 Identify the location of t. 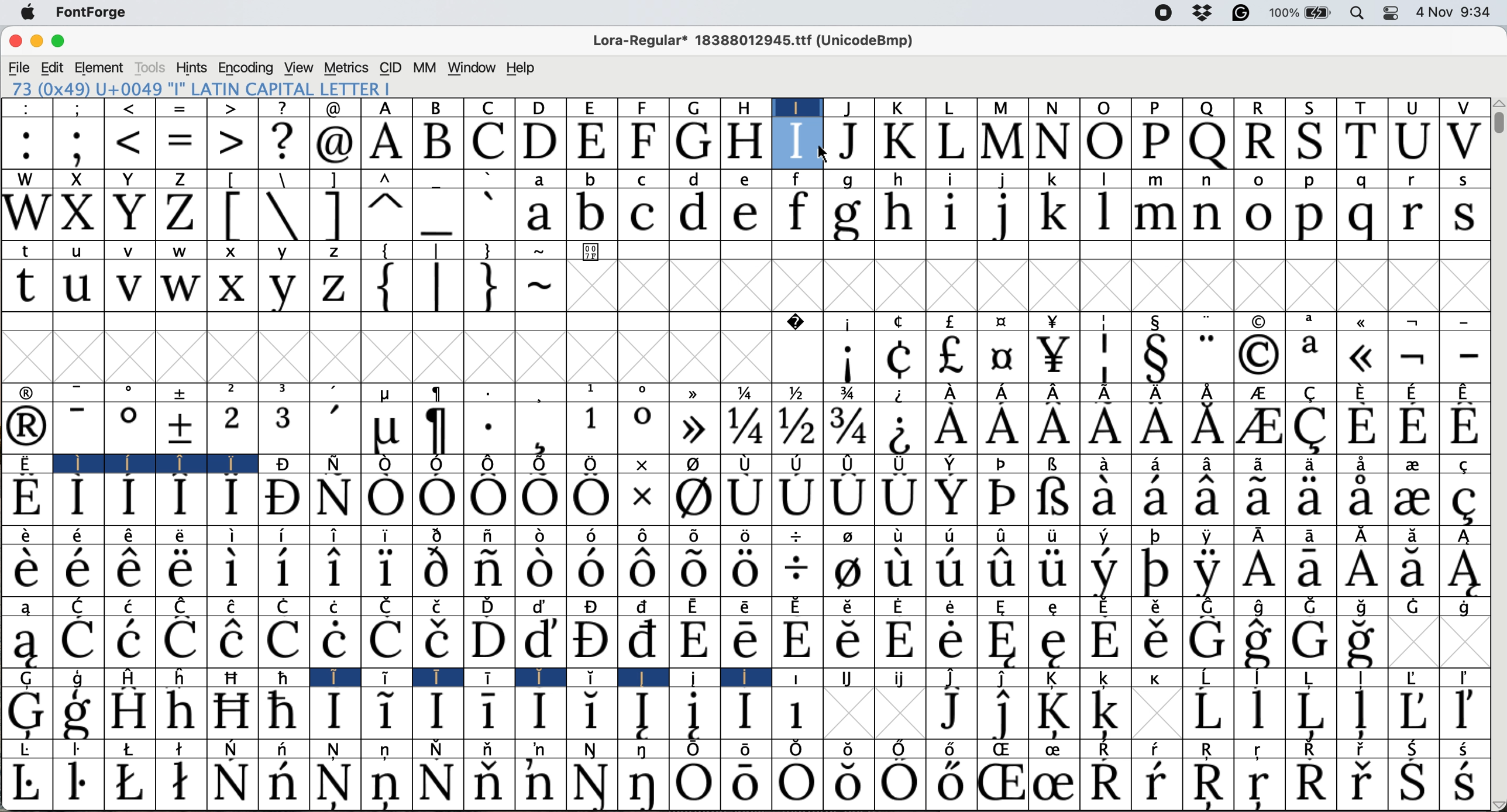
(25, 287).